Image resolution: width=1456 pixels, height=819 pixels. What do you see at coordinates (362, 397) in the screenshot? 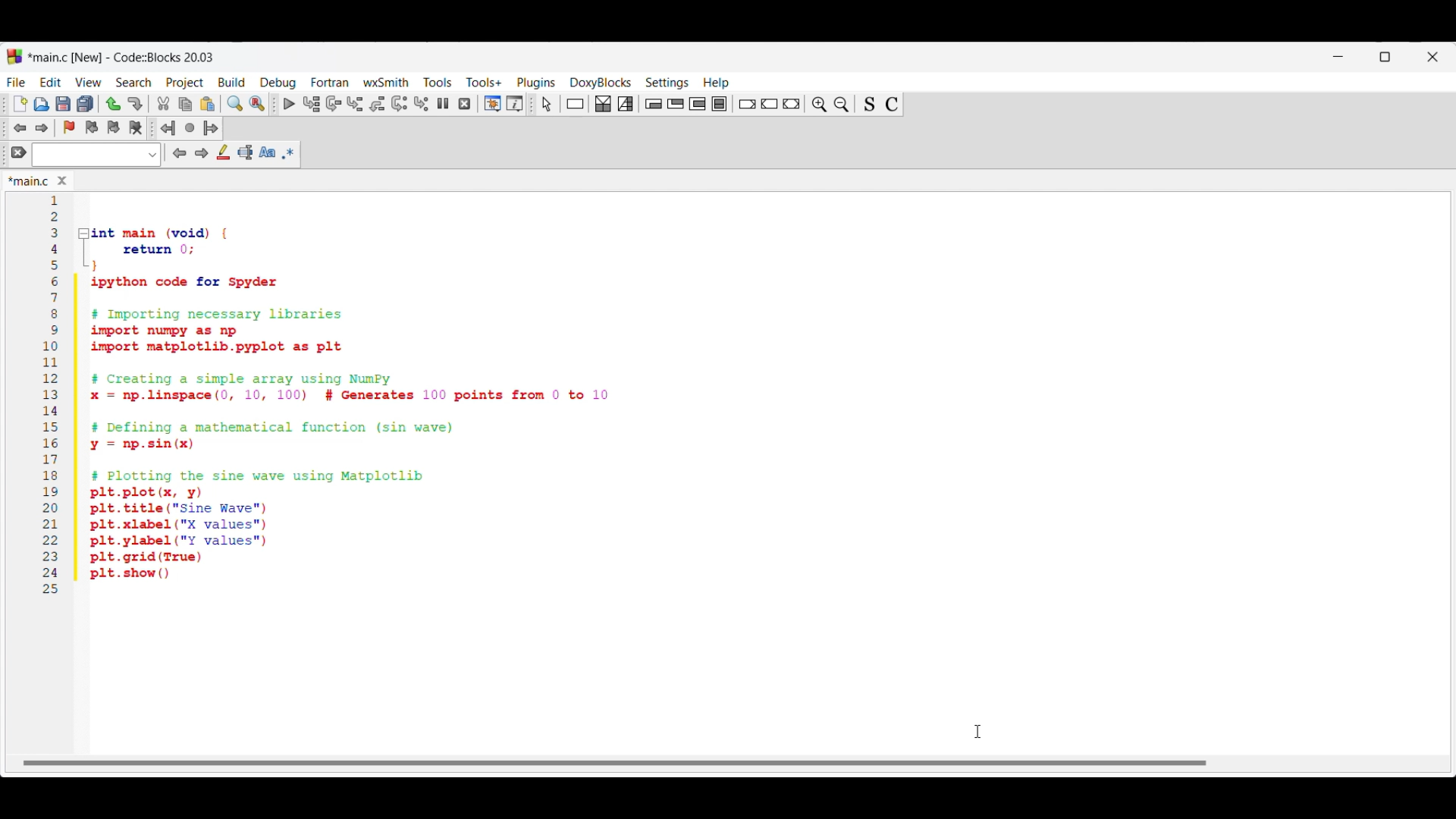
I see `Current code reflecting changes made in syntax highlighting settings` at bounding box center [362, 397].